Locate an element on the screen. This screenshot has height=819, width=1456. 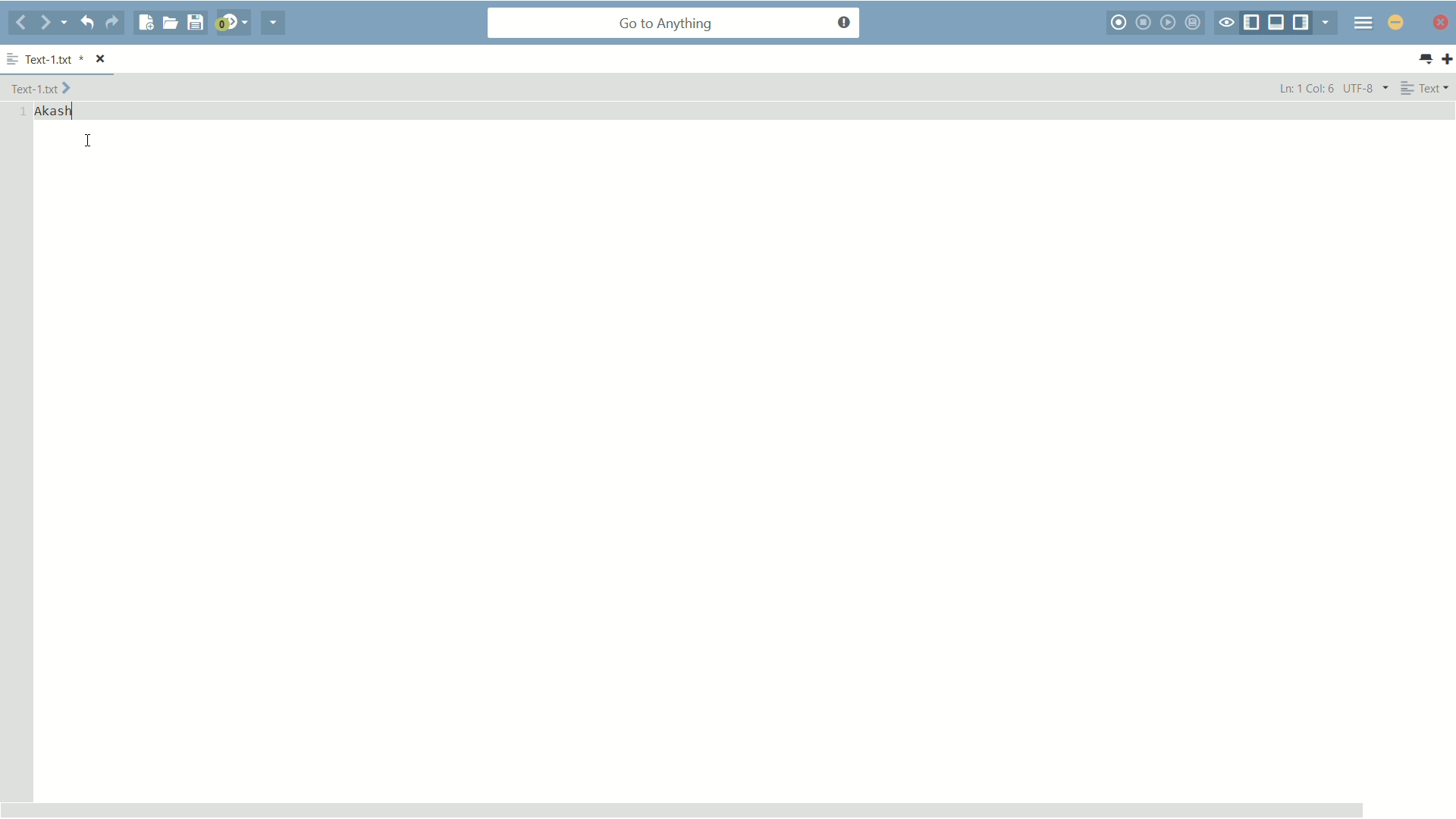
line number is located at coordinates (22, 111).